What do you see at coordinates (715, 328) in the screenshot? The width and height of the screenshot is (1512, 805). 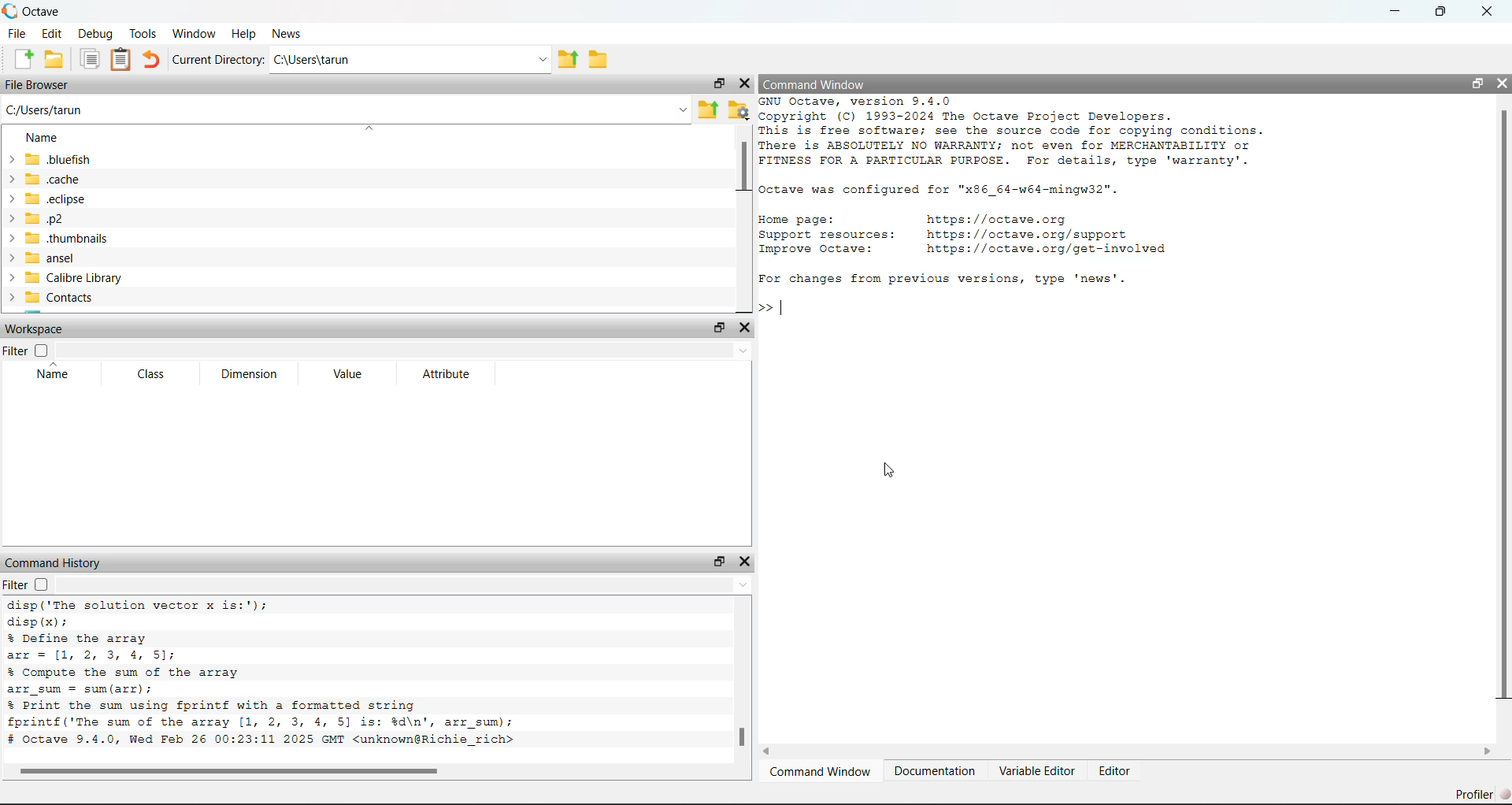 I see `Maximize` at bounding box center [715, 328].